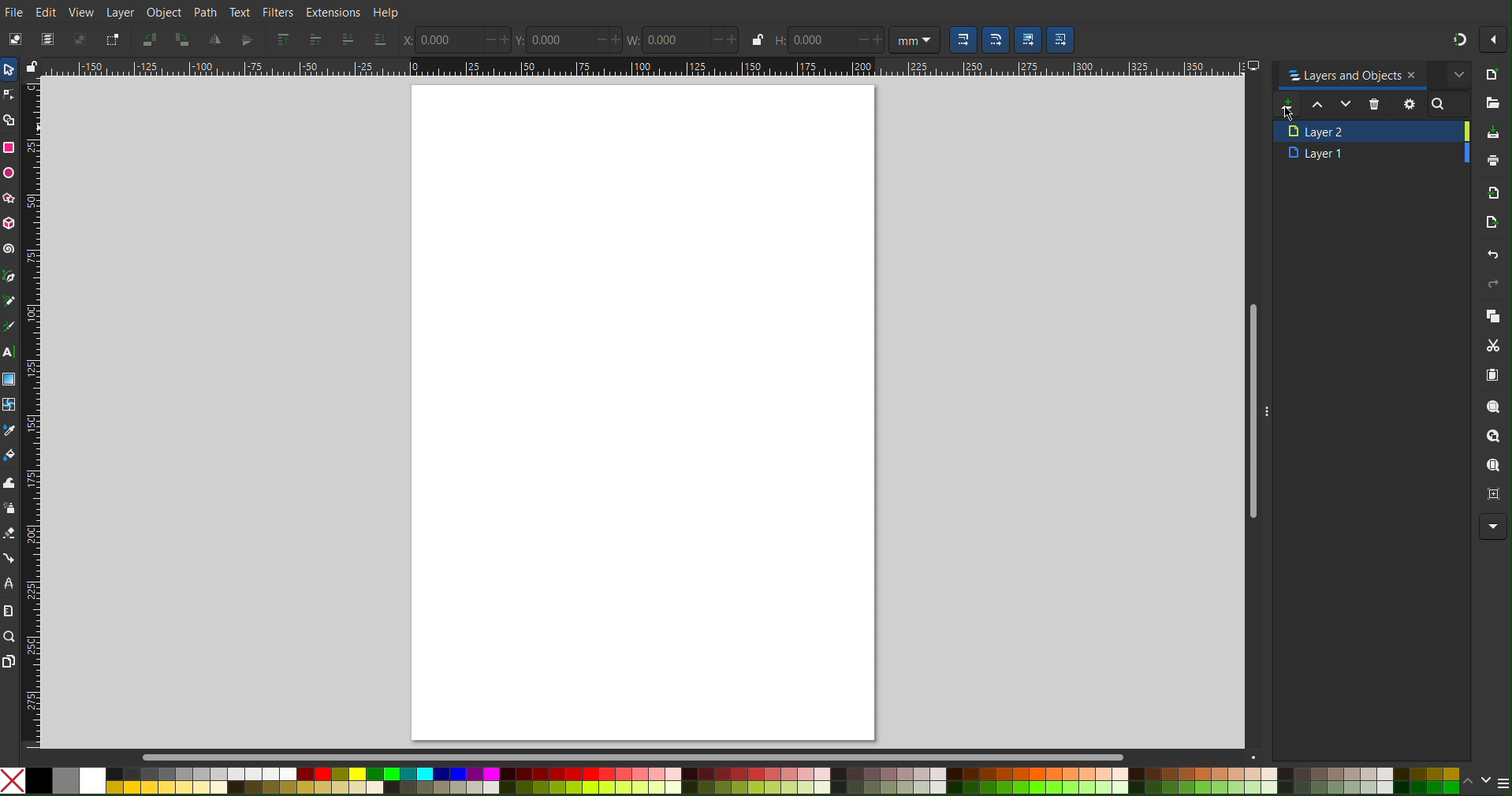  I want to click on Redo, so click(1492, 287).